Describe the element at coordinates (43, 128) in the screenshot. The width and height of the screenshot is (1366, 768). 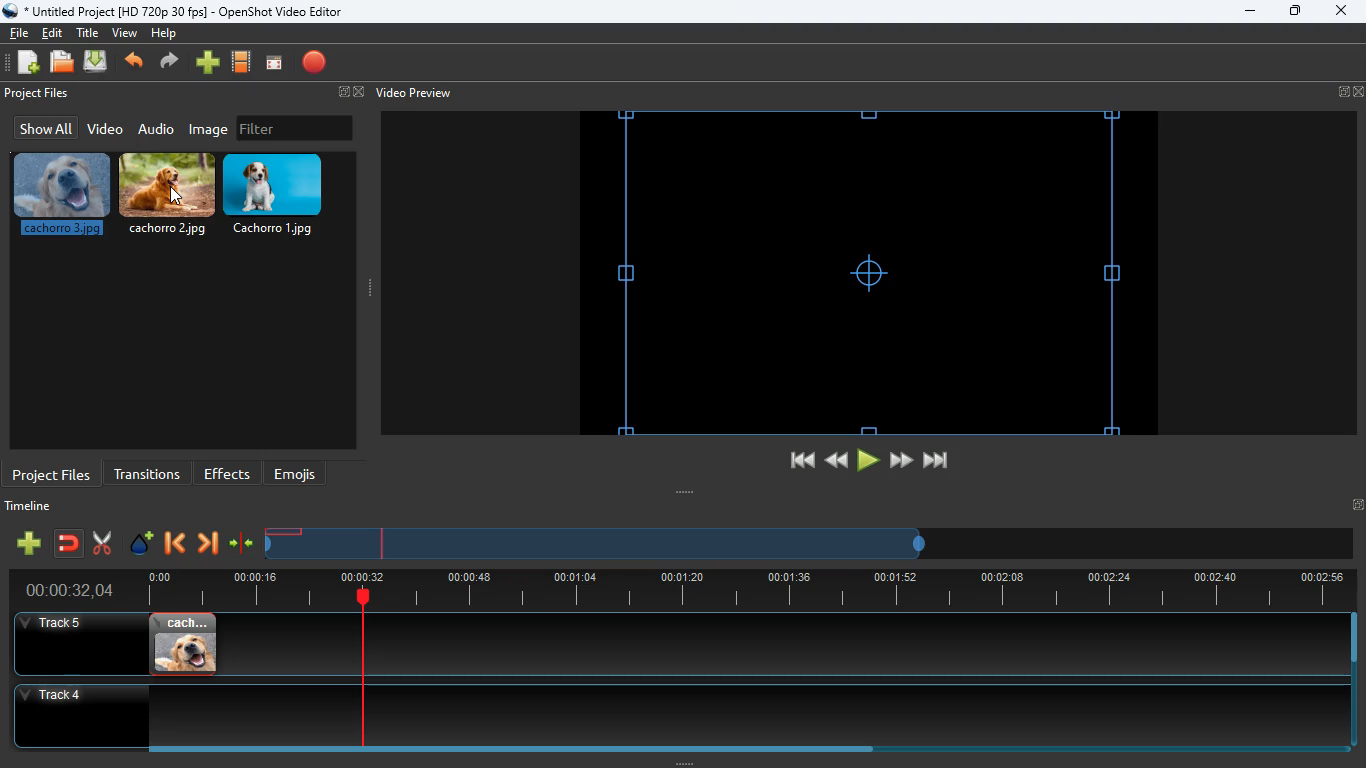
I see `show all` at that location.